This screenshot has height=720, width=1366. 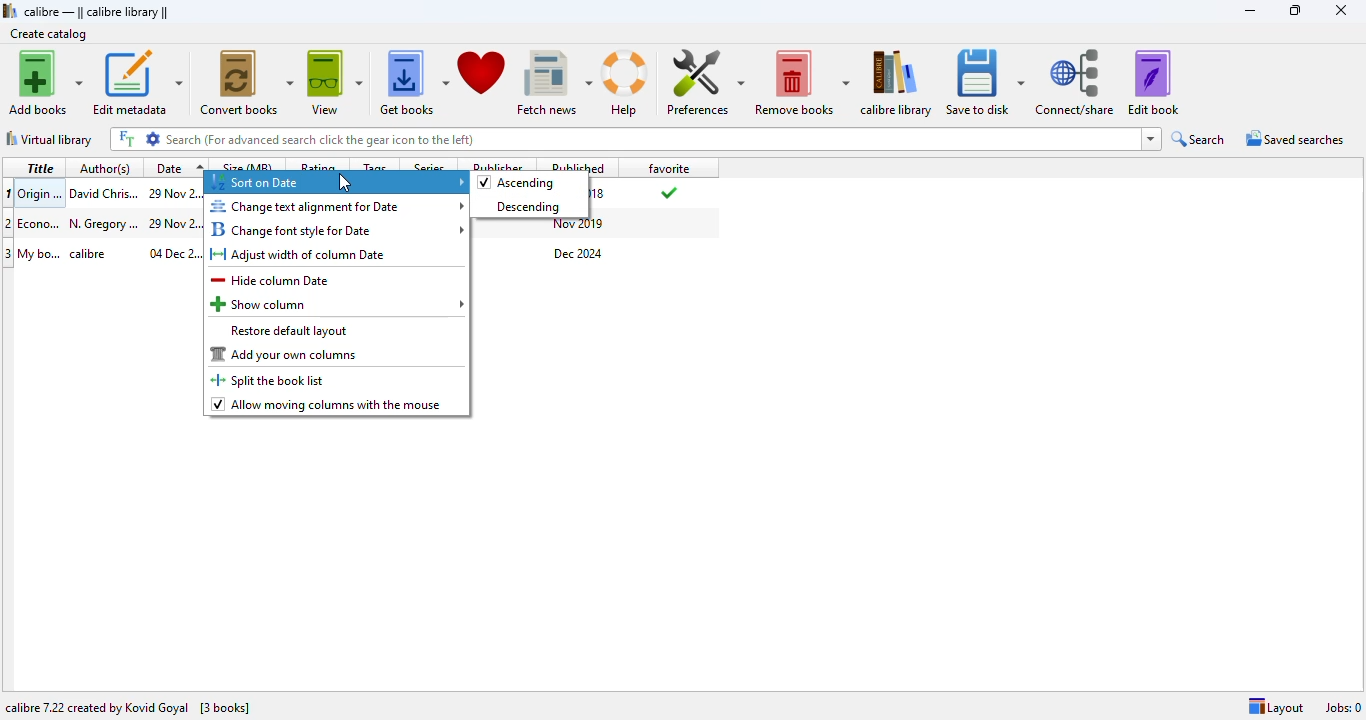 I want to click on allow moving columns with the mouse, so click(x=327, y=405).